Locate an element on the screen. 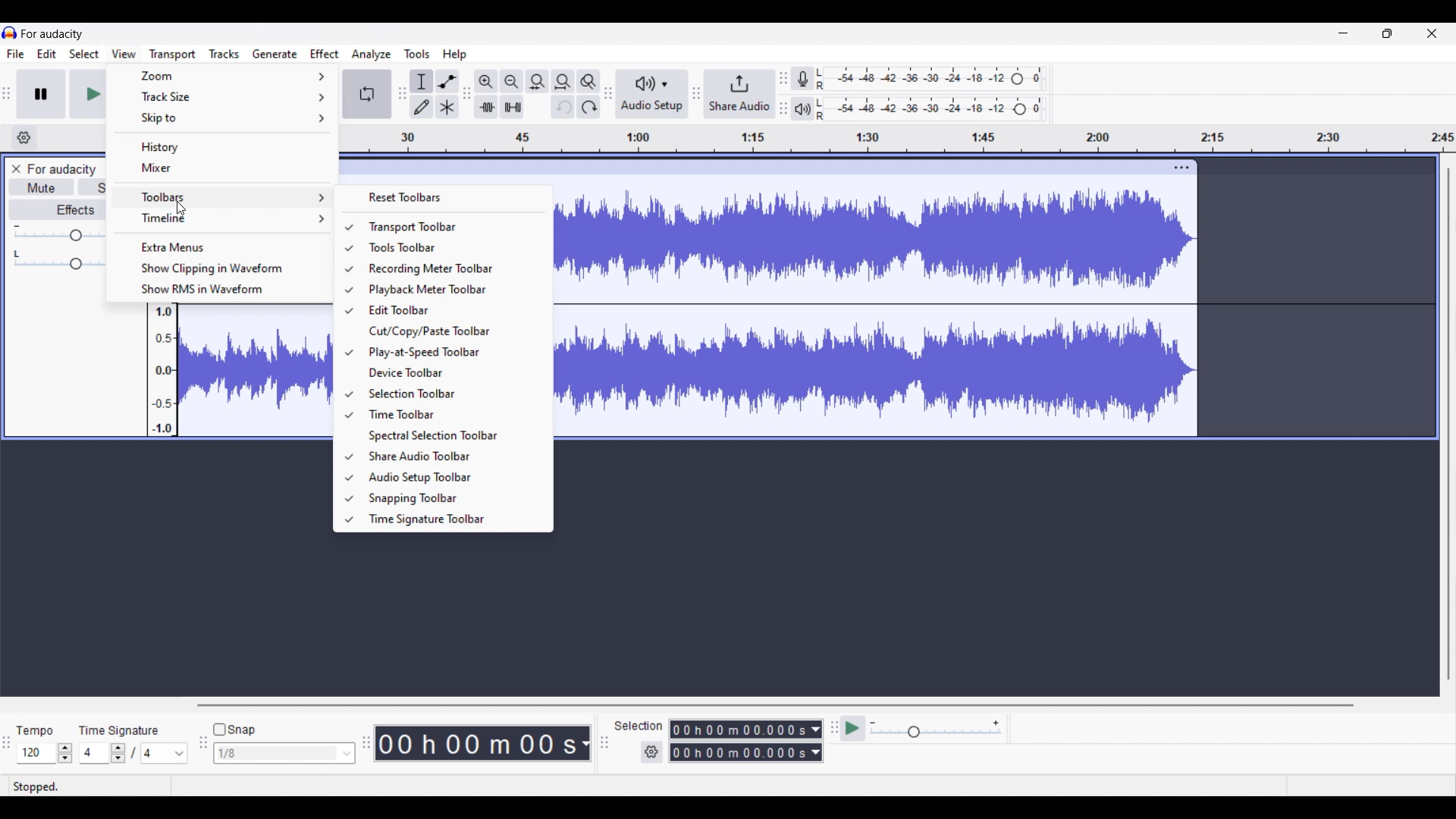  Tools toolbar is located at coordinates (451, 247).